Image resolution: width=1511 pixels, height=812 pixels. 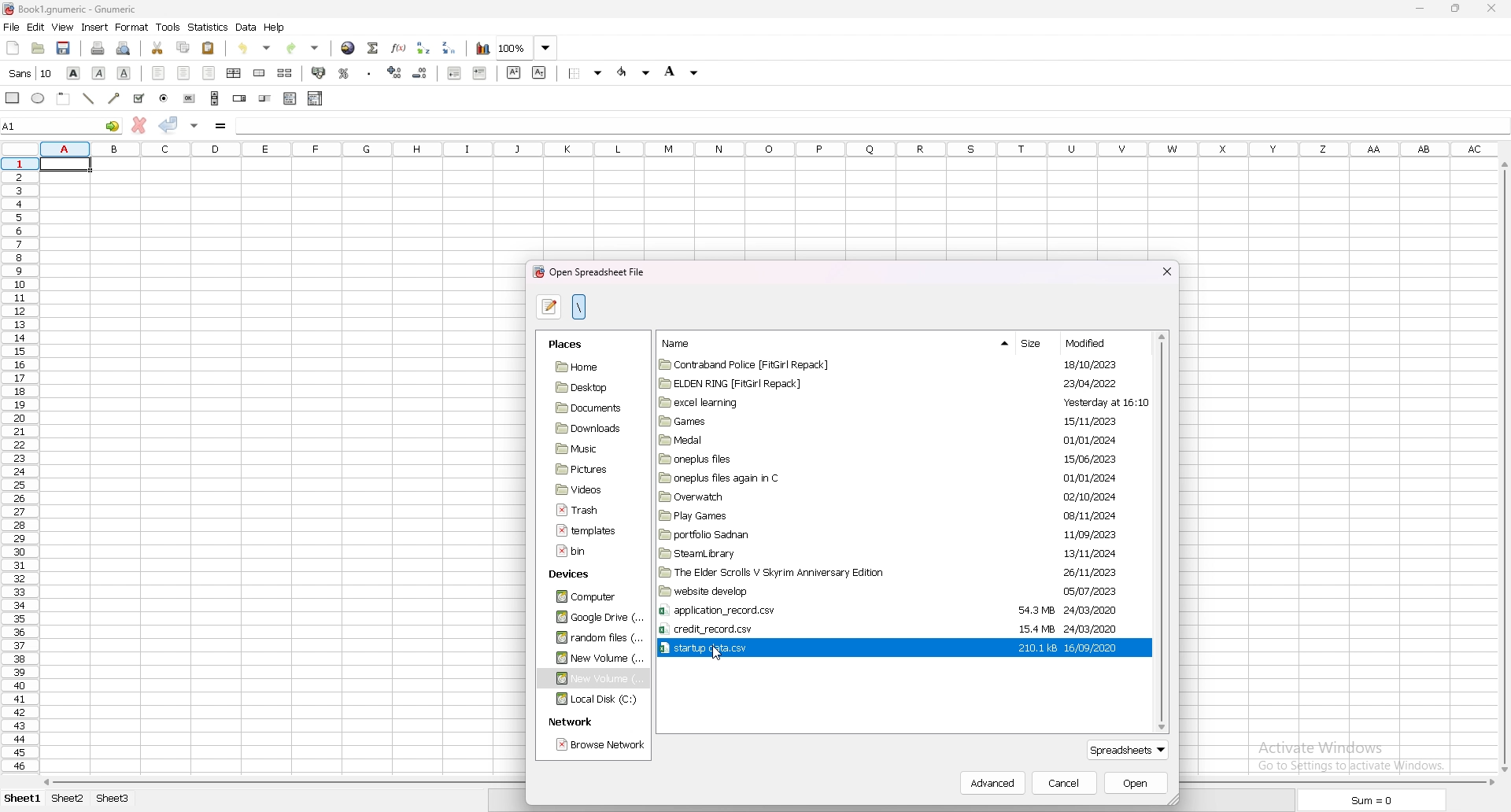 What do you see at coordinates (183, 47) in the screenshot?
I see `copy` at bounding box center [183, 47].